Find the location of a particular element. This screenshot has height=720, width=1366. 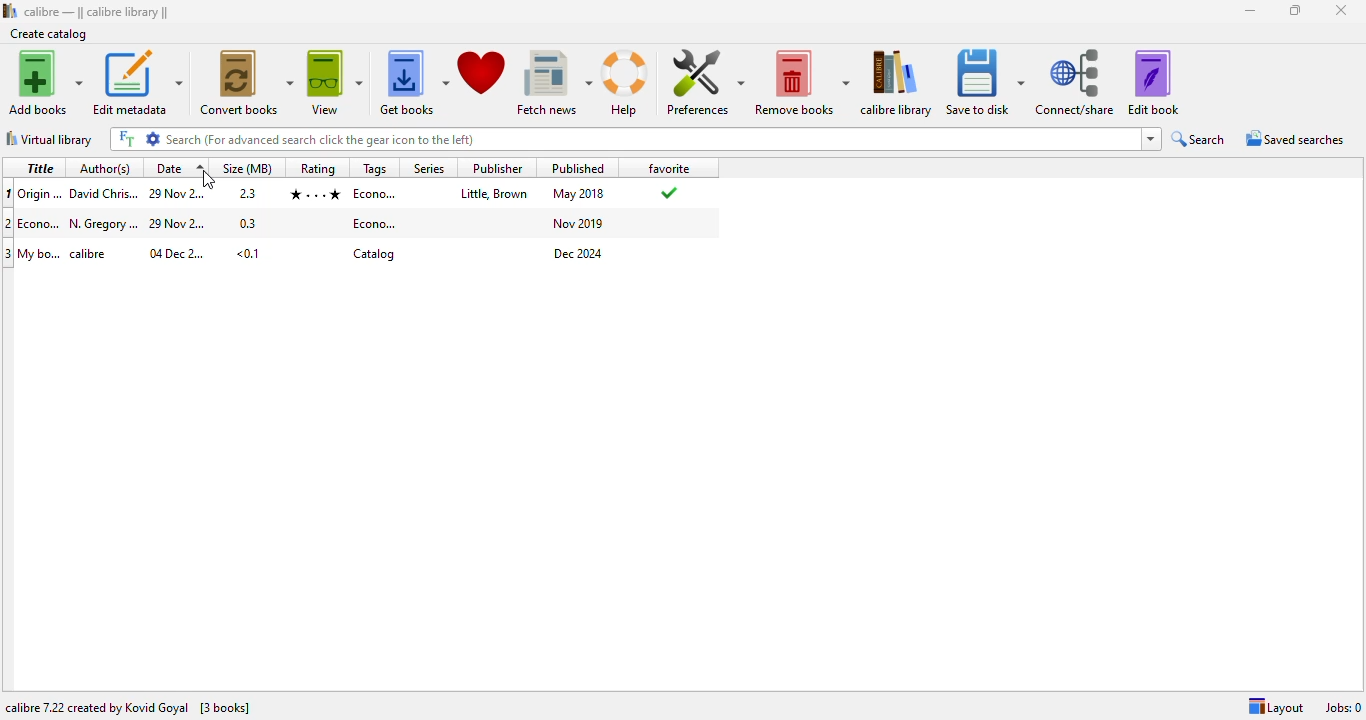

size in mbs is located at coordinates (249, 222).